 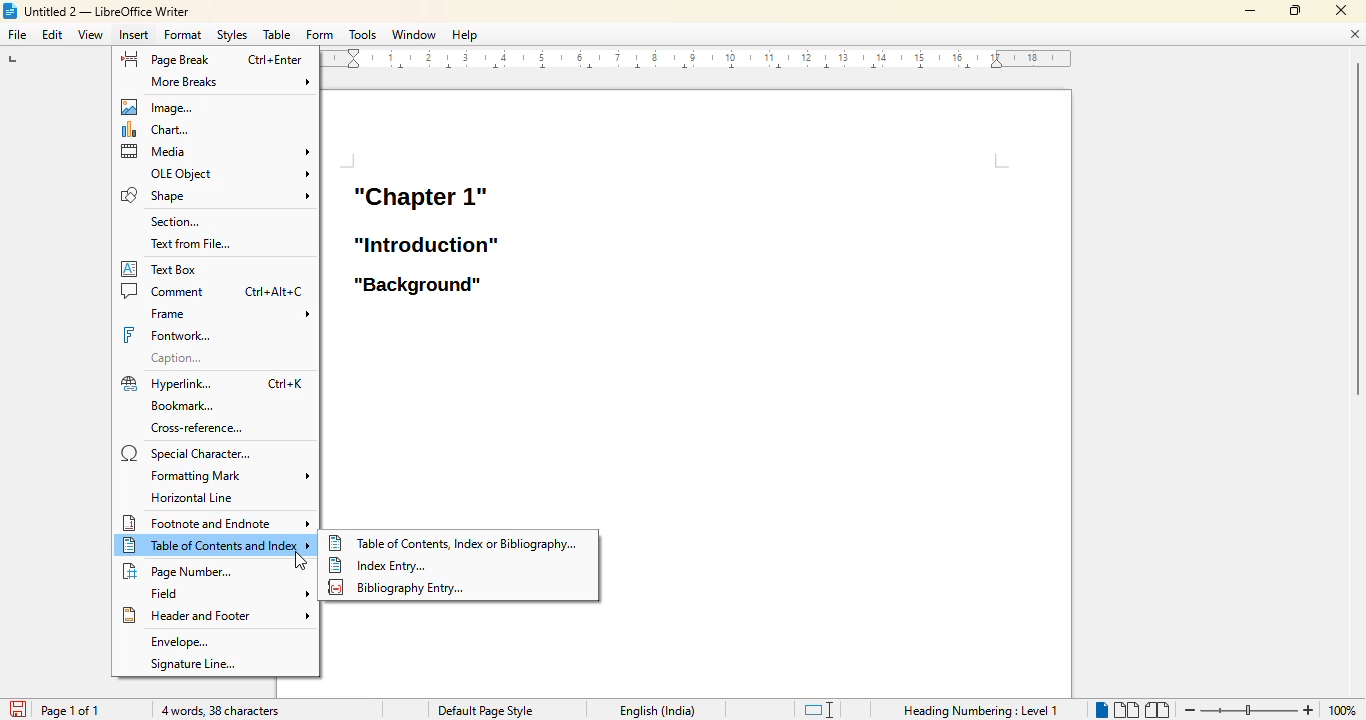 I want to click on table of contents, index or bibliography, so click(x=452, y=542).